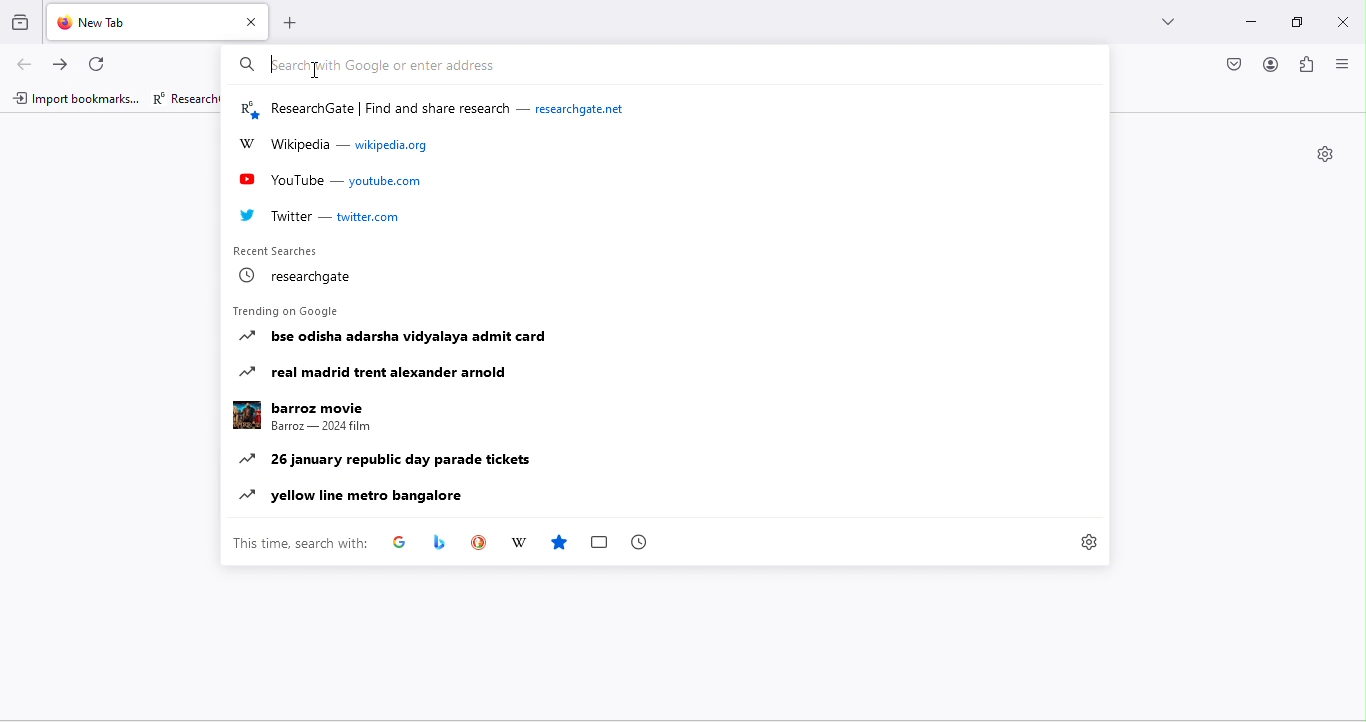 This screenshot has width=1366, height=722. I want to click on trending on google, so click(285, 311).